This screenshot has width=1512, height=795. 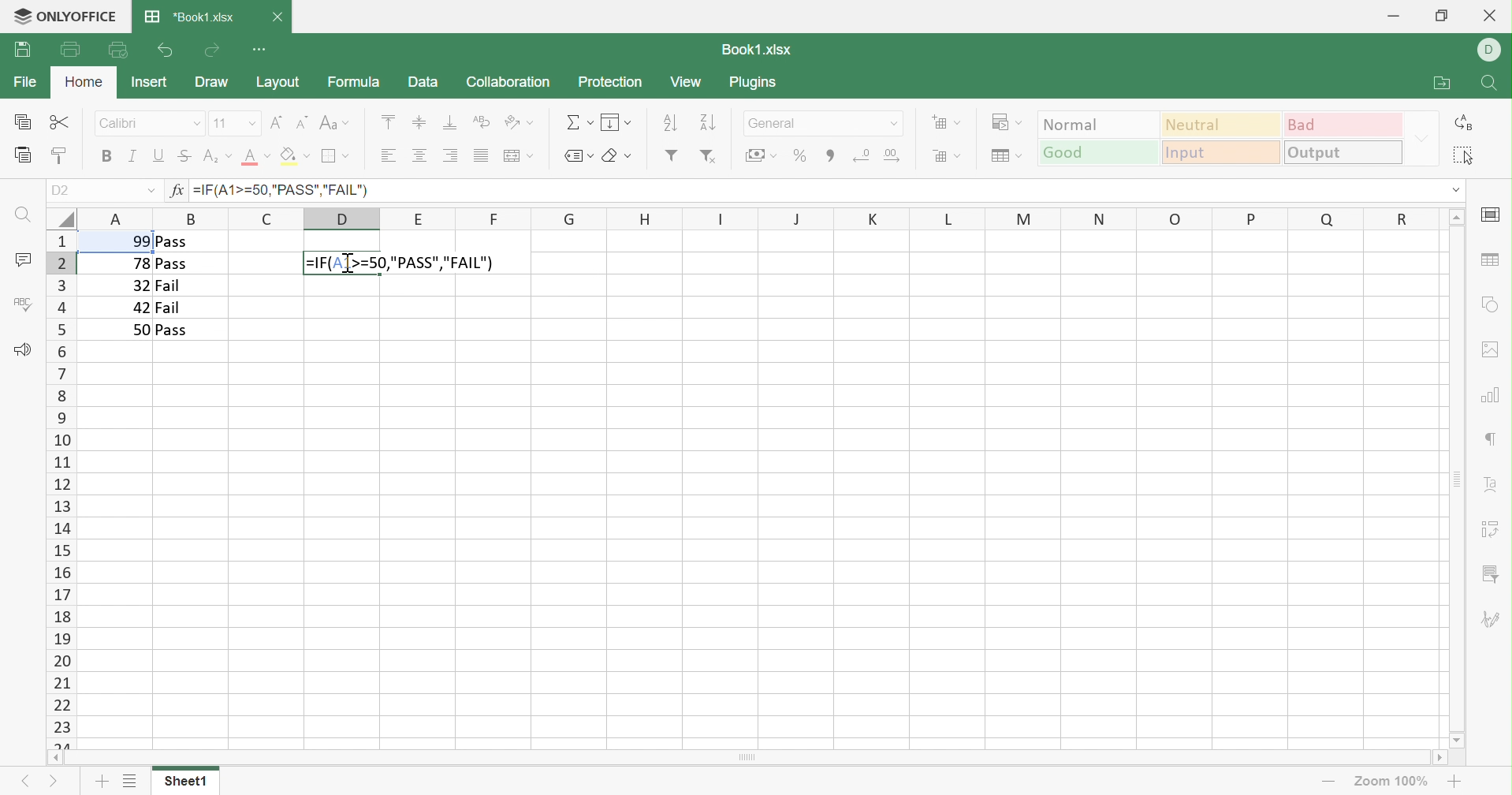 What do you see at coordinates (1439, 760) in the screenshot?
I see `Scroll right` at bounding box center [1439, 760].